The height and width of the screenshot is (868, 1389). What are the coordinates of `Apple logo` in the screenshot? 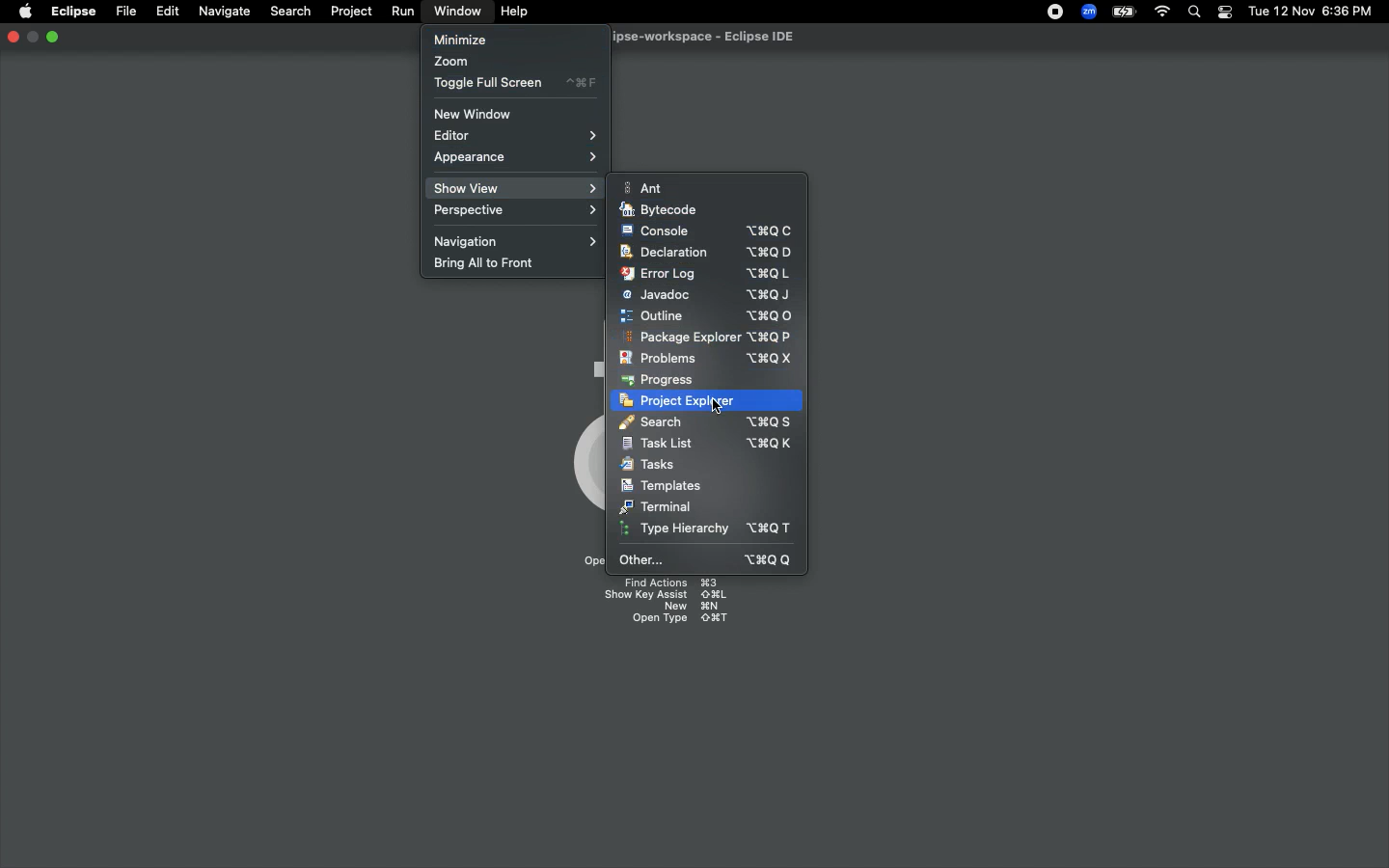 It's located at (25, 11).